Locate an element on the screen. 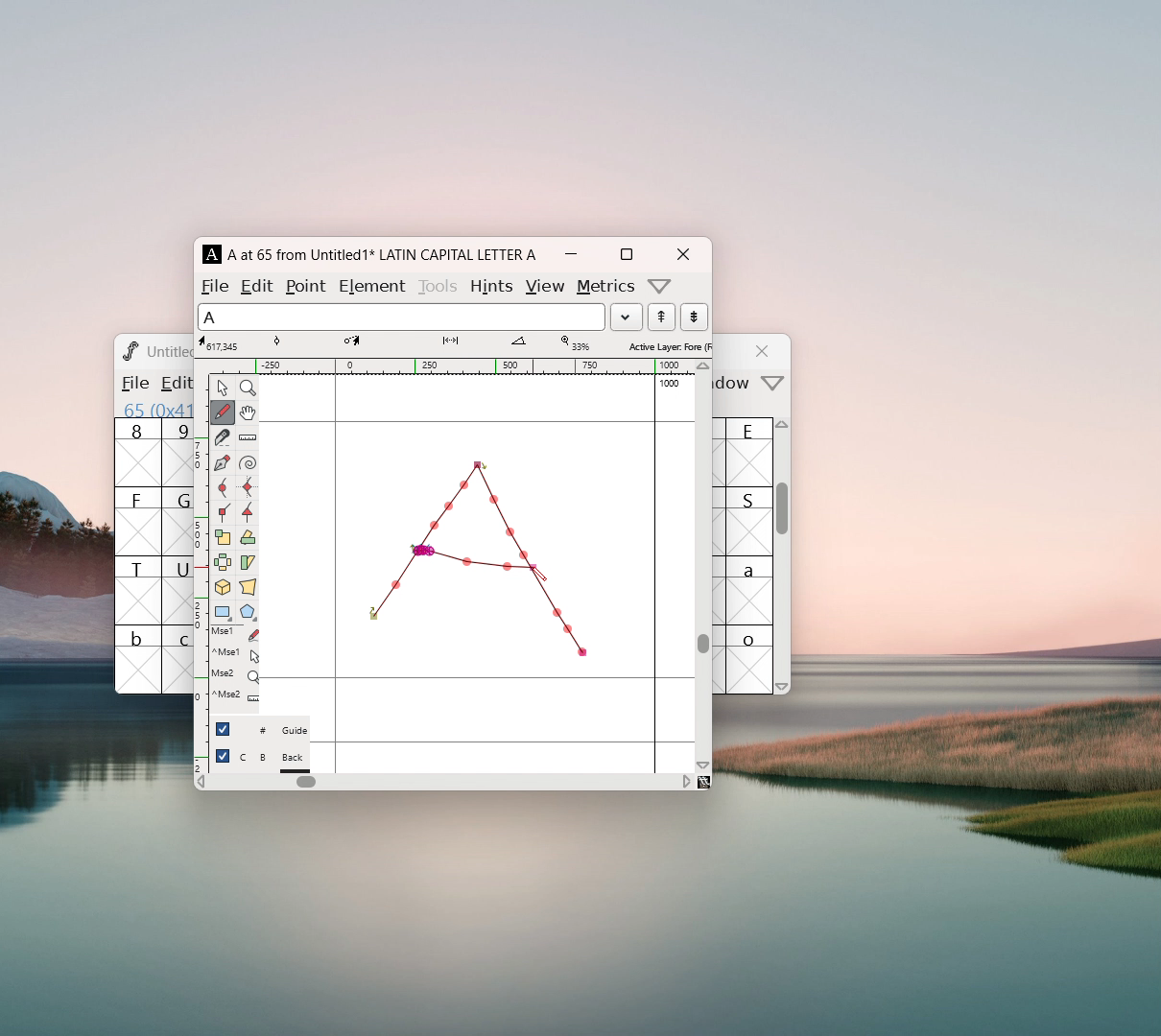 Image resolution: width=1161 pixels, height=1036 pixels. scroll by hand  is located at coordinates (248, 413).